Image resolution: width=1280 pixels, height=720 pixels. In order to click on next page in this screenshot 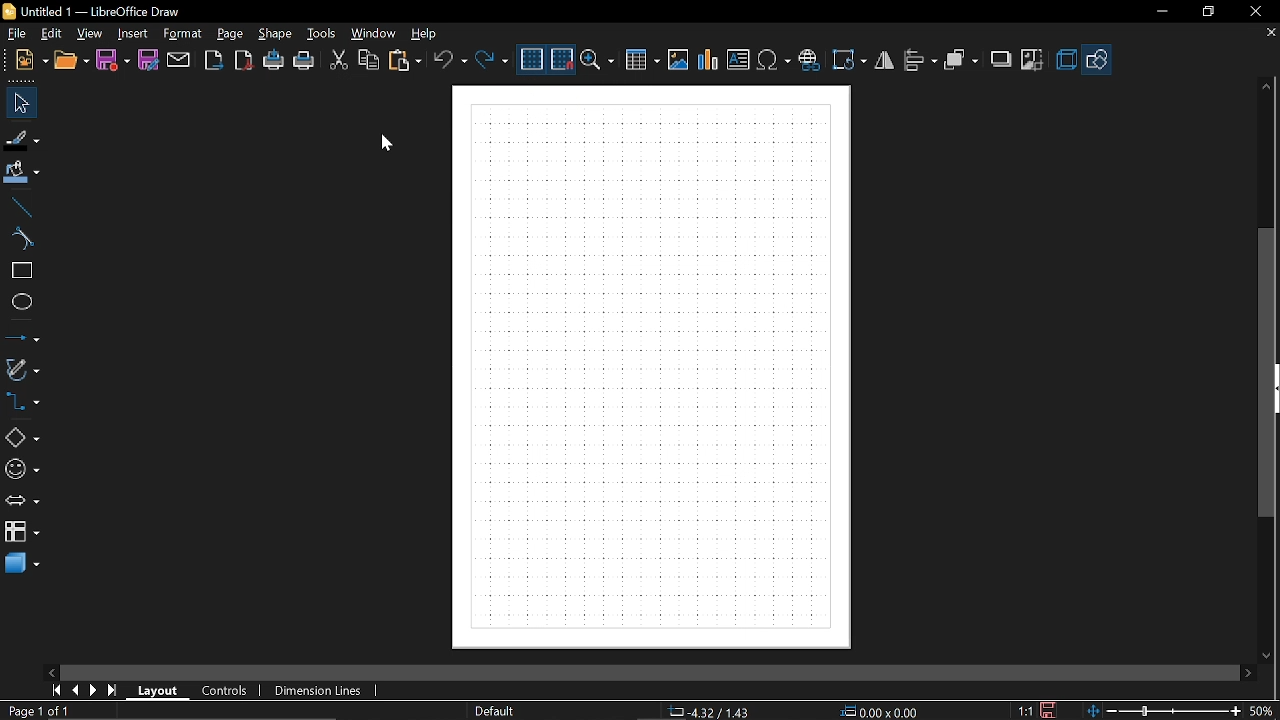, I will do `click(94, 690)`.